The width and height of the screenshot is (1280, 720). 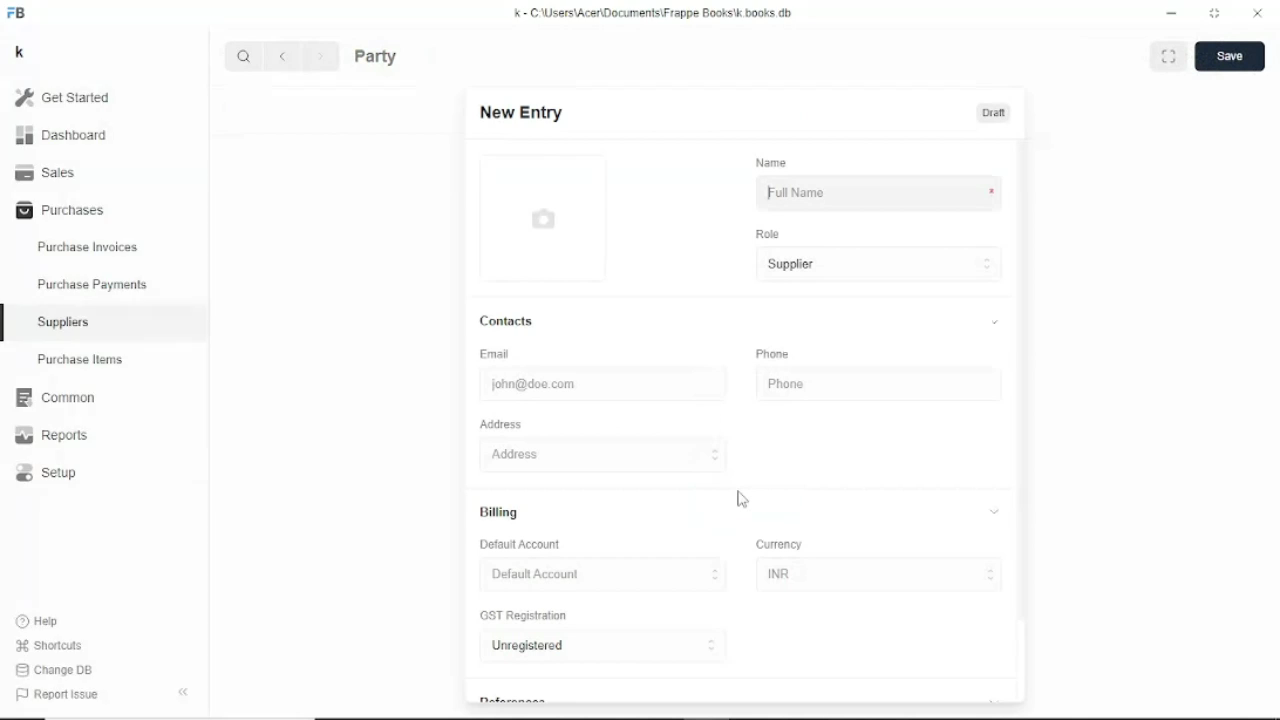 I want to click on FB, so click(x=18, y=12).